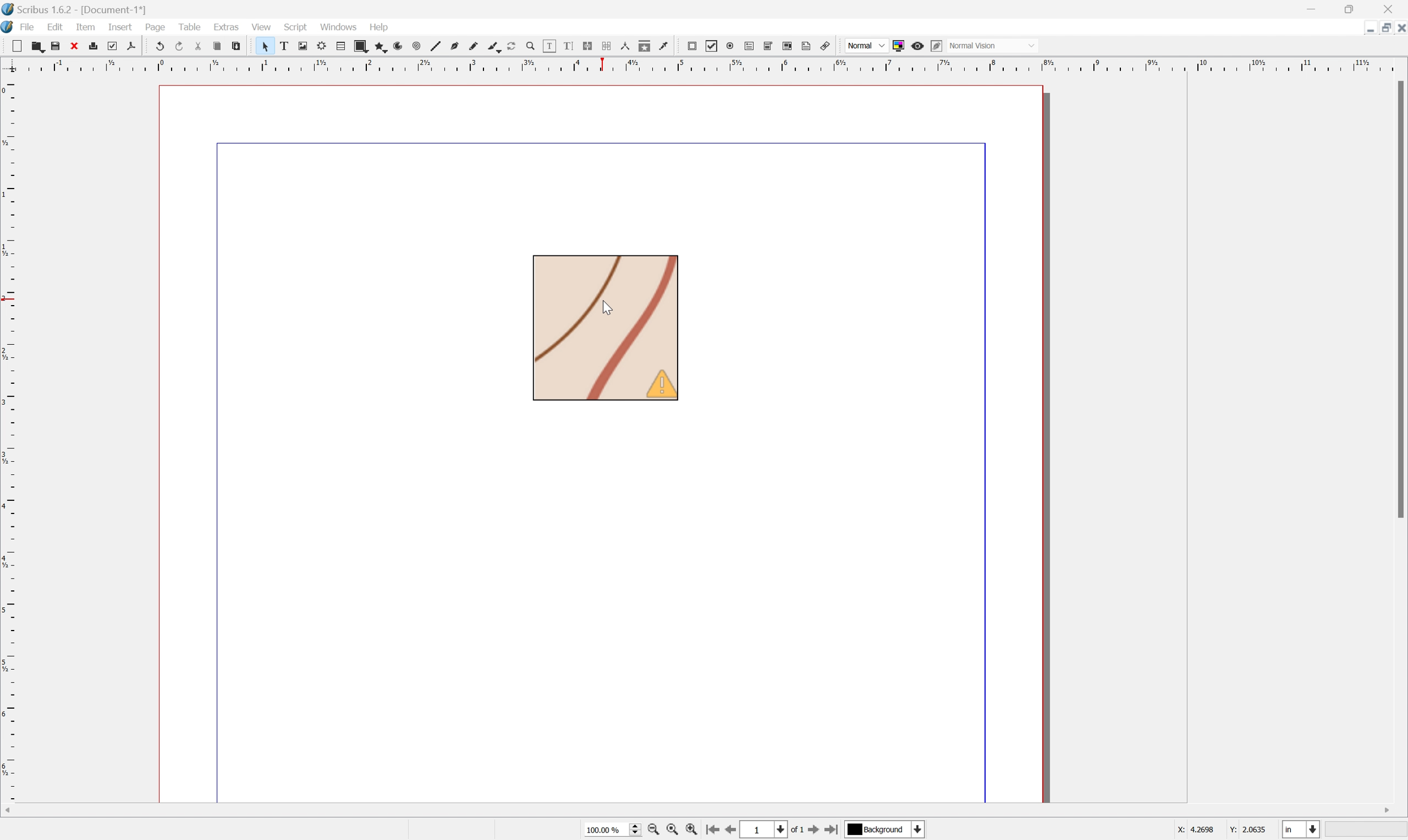  I want to click on Freehand line, so click(477, 48).